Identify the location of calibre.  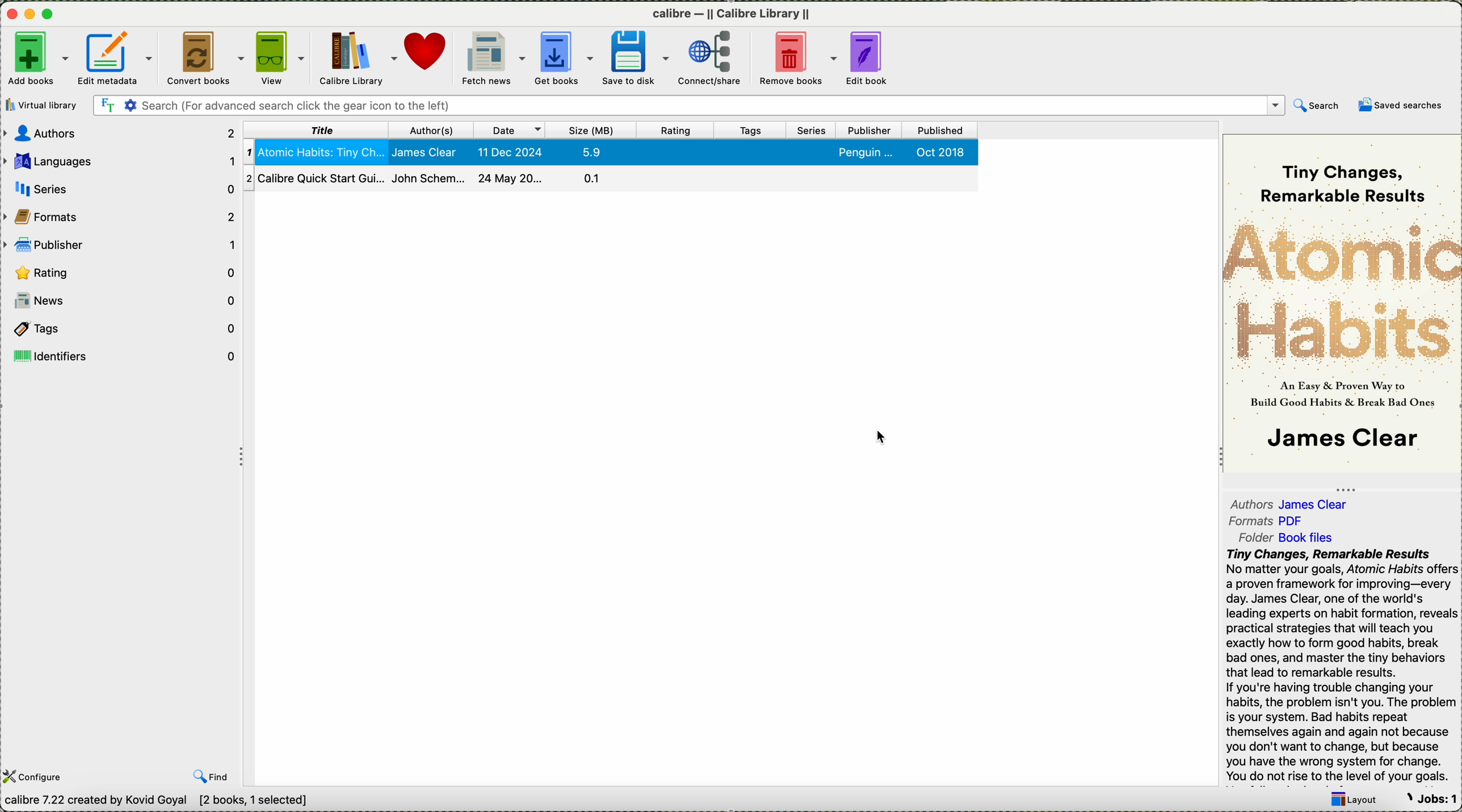
(731, 15).